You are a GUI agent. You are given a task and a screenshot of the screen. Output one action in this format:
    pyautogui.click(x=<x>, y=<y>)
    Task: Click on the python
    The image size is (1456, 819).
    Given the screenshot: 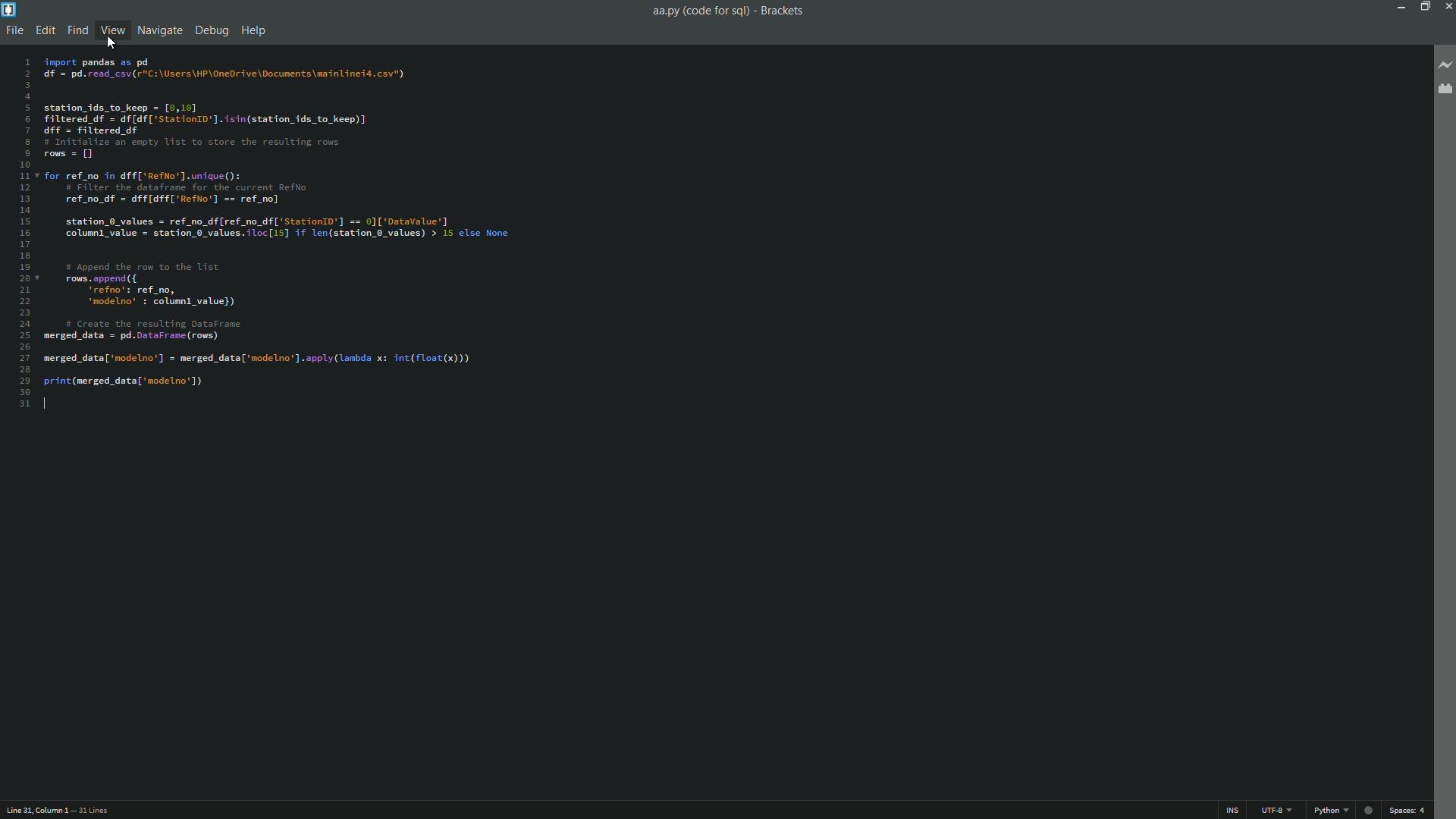 What is the action you would take?
    pyautogui.click(x=1332, y=809)
    